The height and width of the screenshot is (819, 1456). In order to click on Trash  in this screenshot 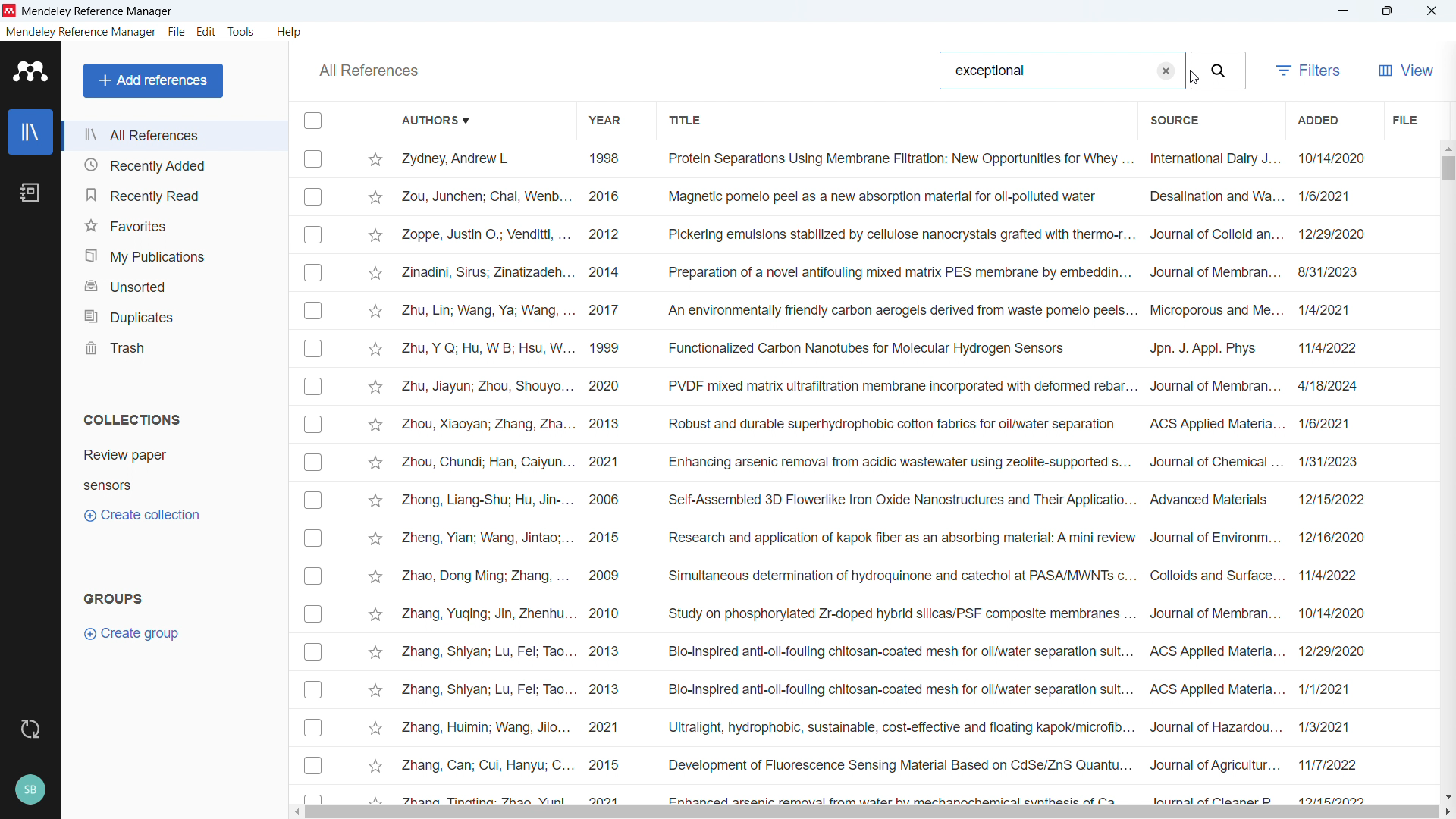, I will do `click(173, 345)`.